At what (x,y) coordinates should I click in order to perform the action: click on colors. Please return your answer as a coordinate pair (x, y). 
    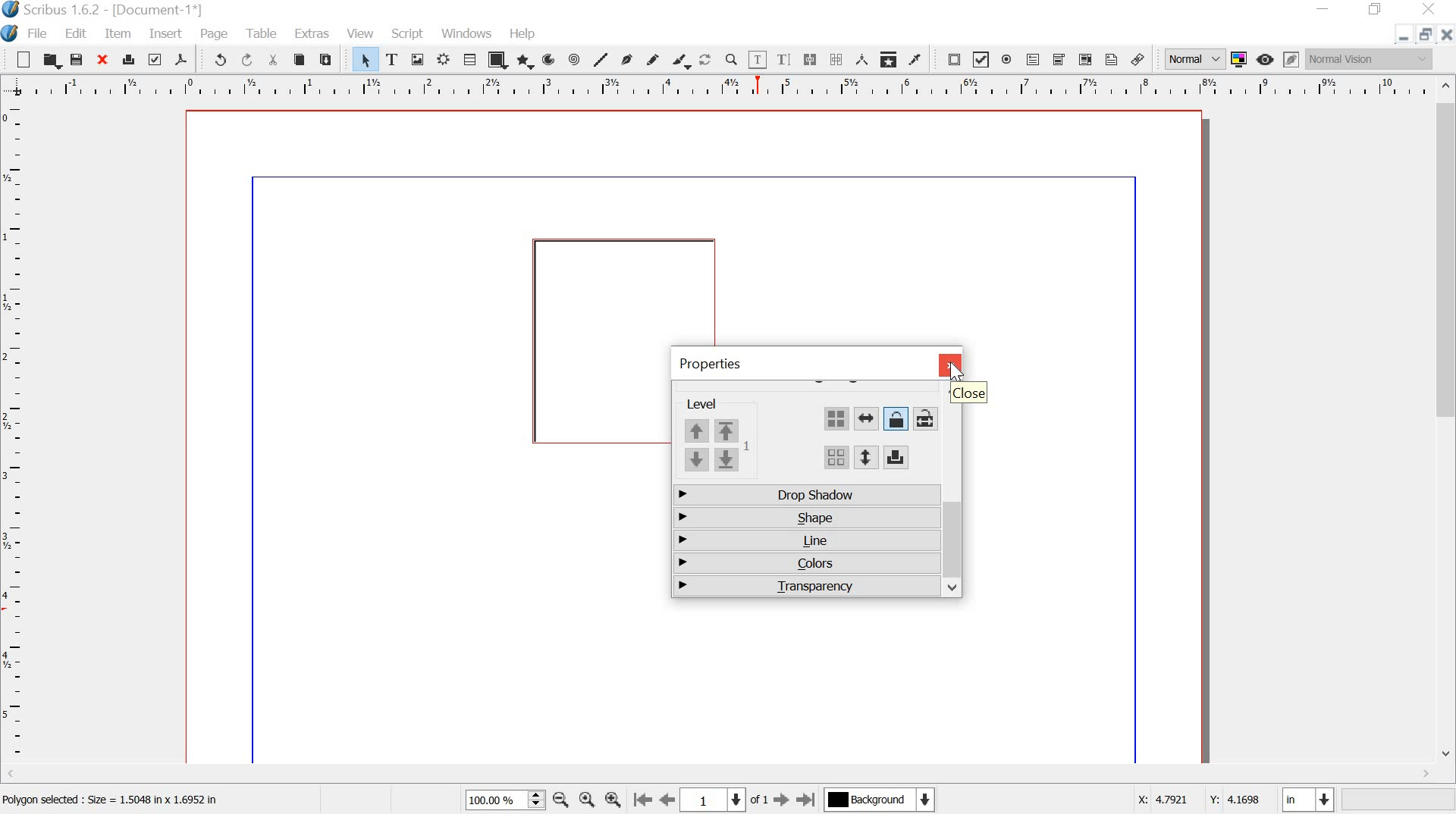
    Looking at the image, I should click on (803, 565).